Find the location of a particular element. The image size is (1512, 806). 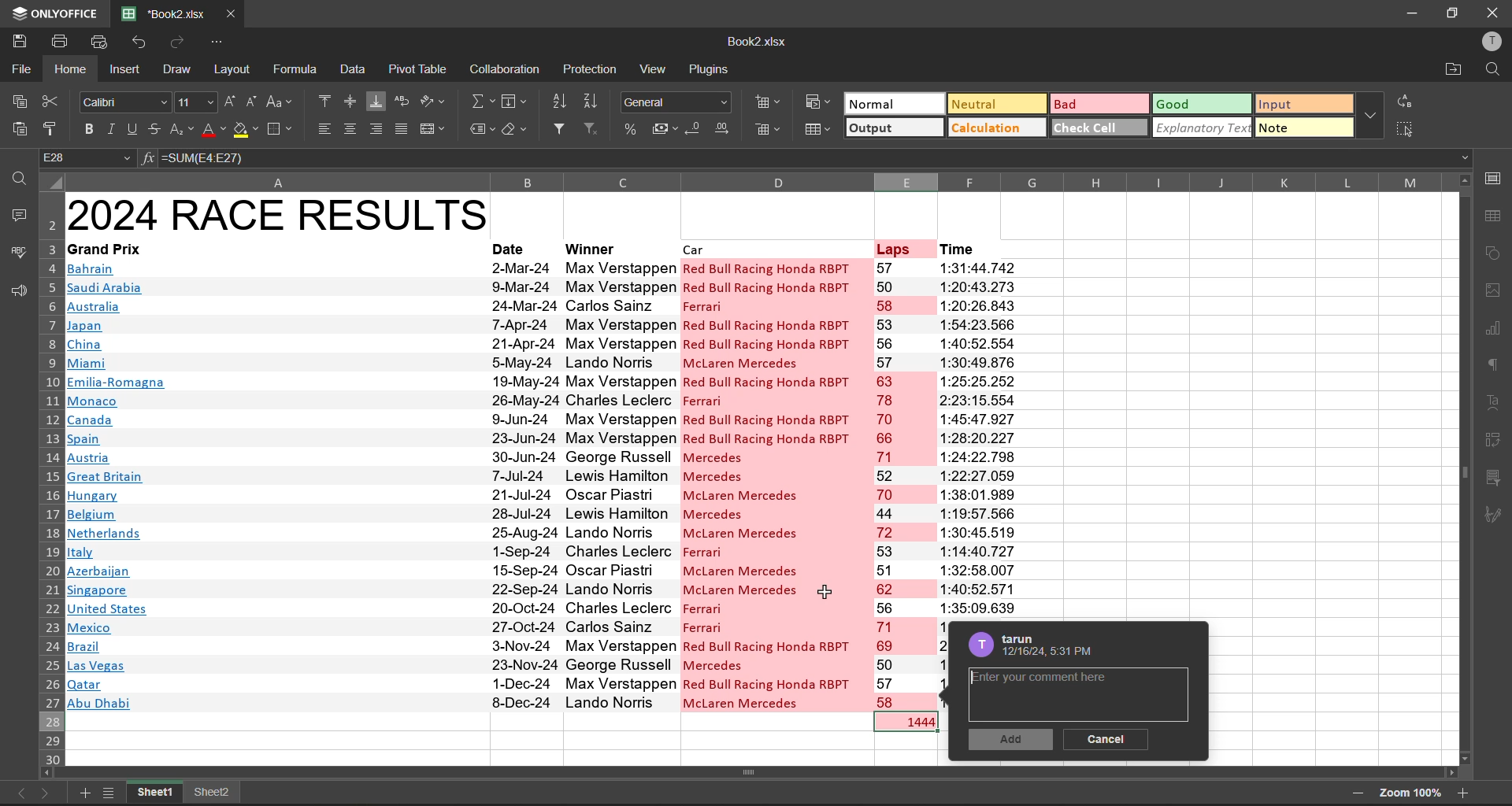

totsl laps is located at coordinates (912, 723).